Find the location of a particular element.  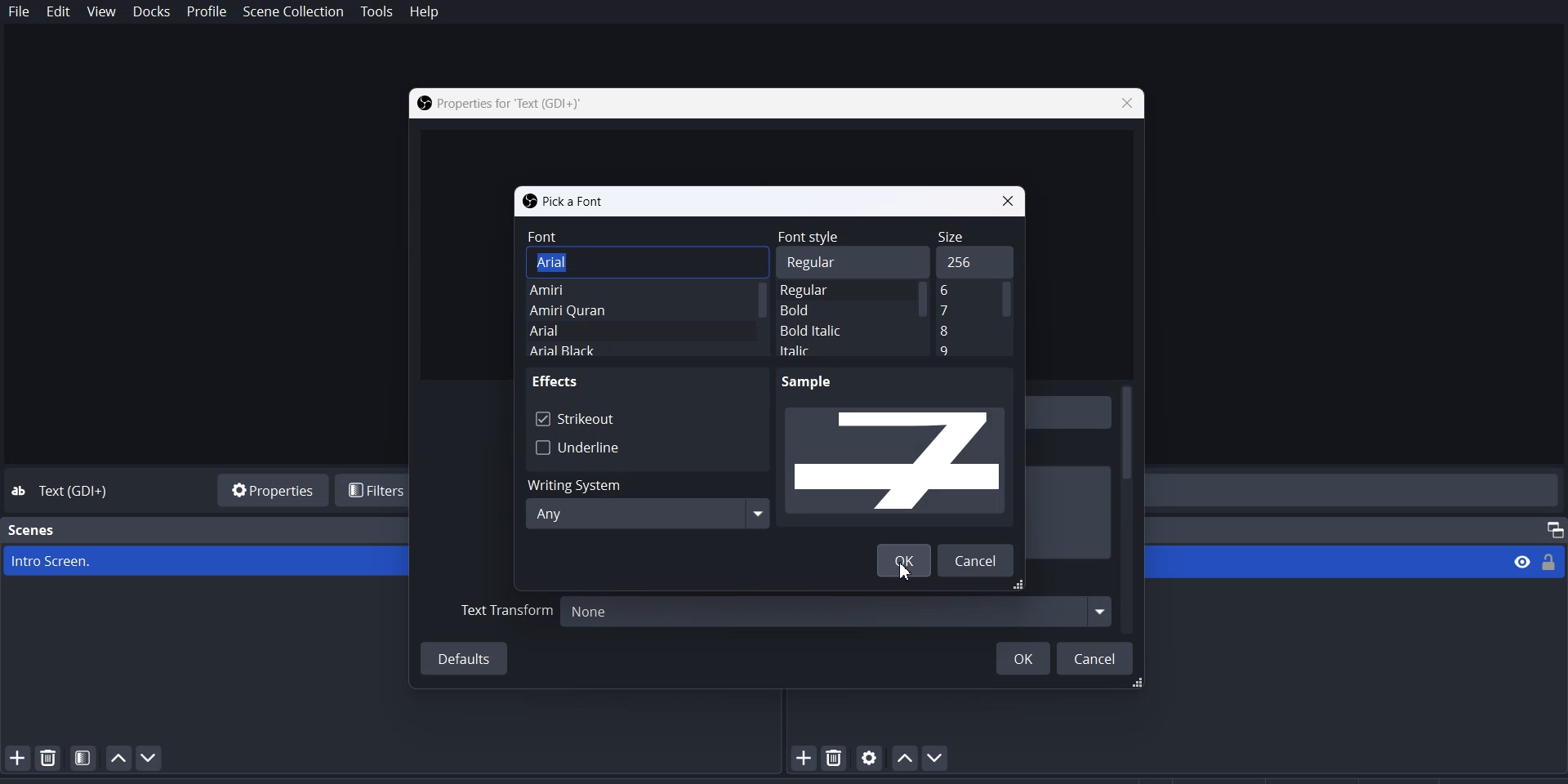

Move Scene Up is located at coordinates (118, 758).